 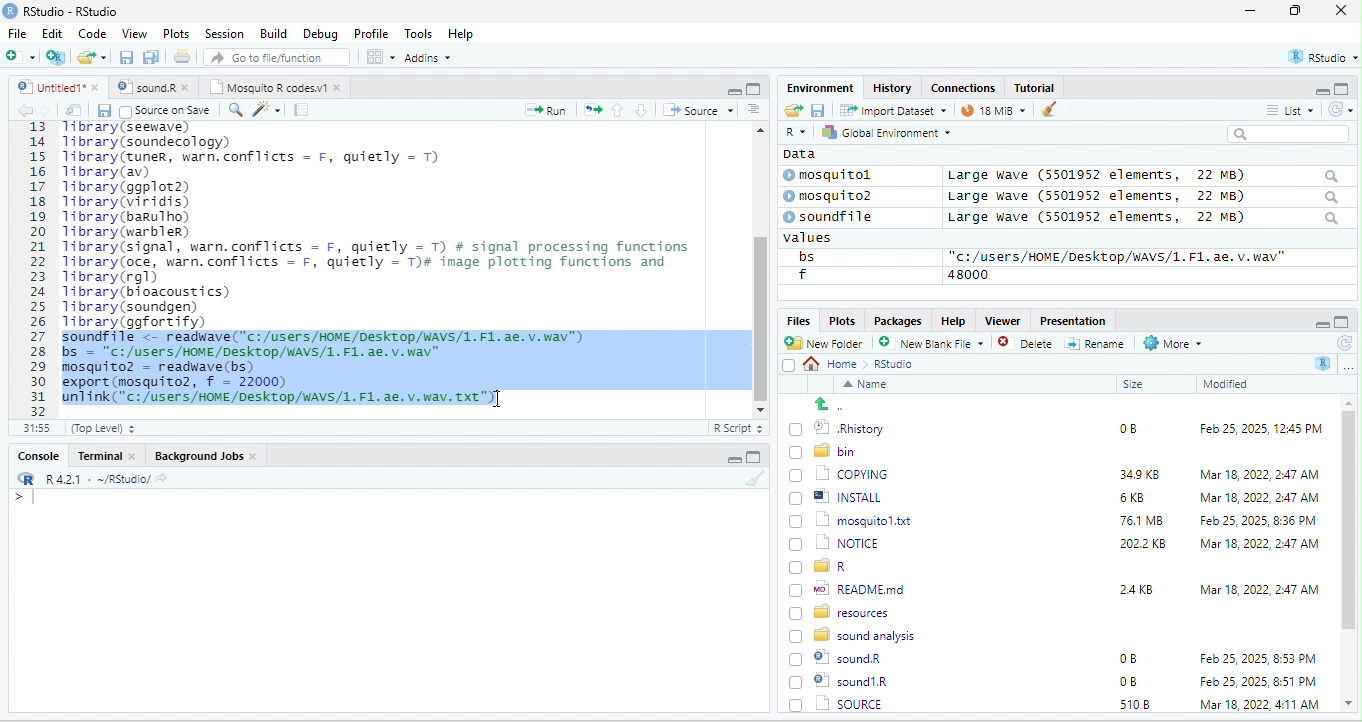 What do you see at coordinates (1343, 343) in the screenshot?
I see `refresh` at bounding box center [1343, 343].